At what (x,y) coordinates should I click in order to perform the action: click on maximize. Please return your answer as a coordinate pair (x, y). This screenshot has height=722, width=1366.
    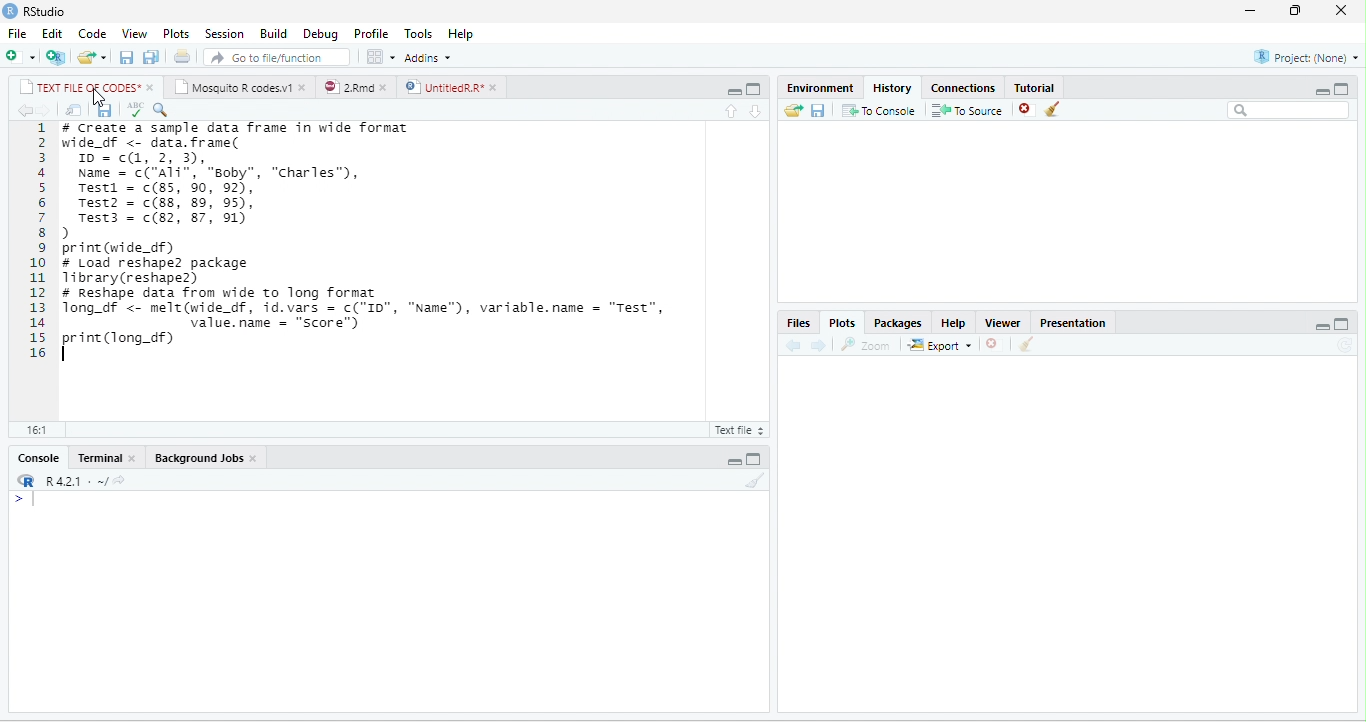
    Looking at the image, I should click on (754, 459).